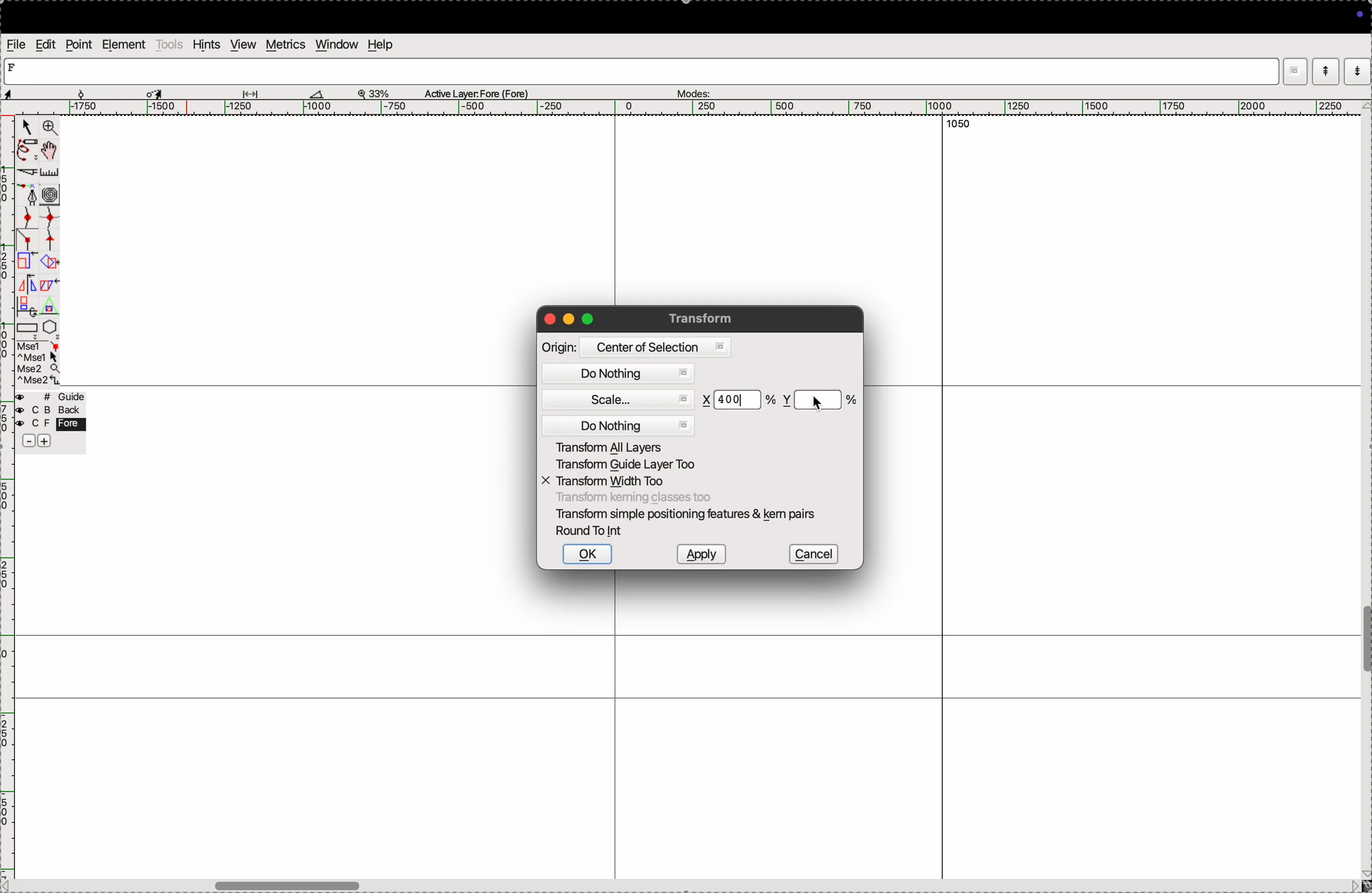 Image resolution: width=1372 pixels, height=893 pixels. I want to click on overlap, so click(51, 262).